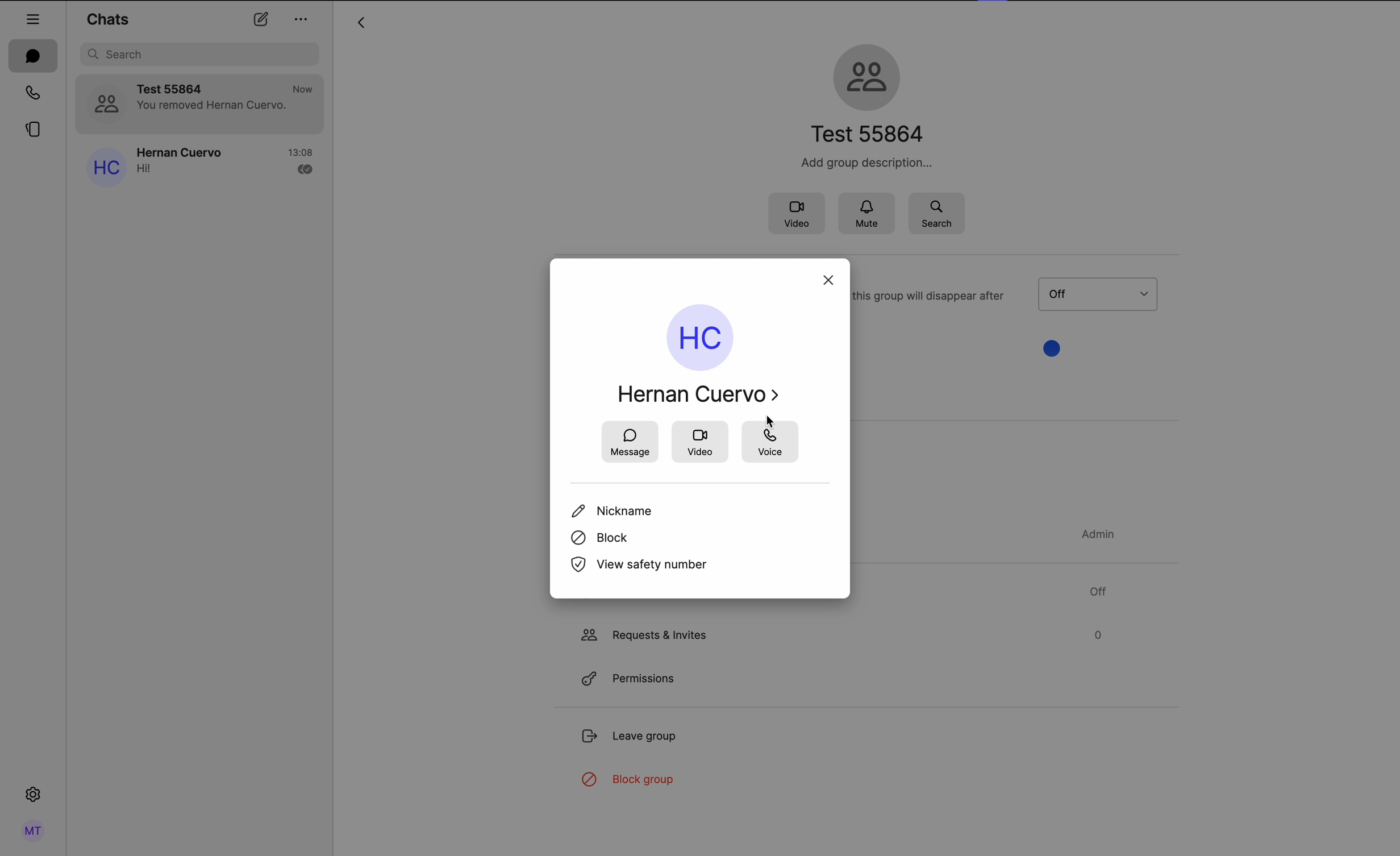 The image size is (1400, 856). Describe the element at coordinates (107, 18) in the screenshot. I see `chats` at that location.